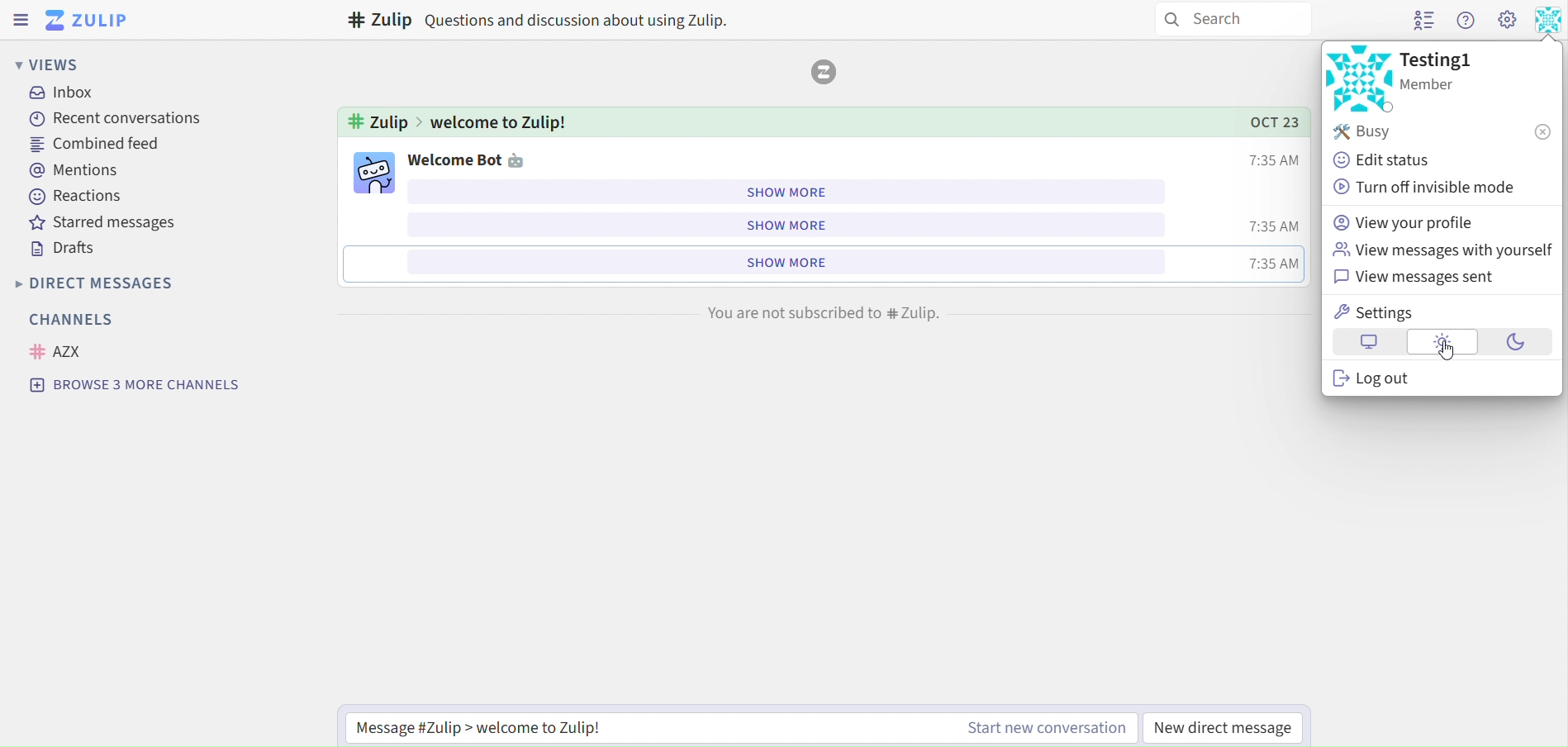 Image resolution: width=1568 pixels, height=747 pixels. I want to click on OCT 23, so click(1266, 121).